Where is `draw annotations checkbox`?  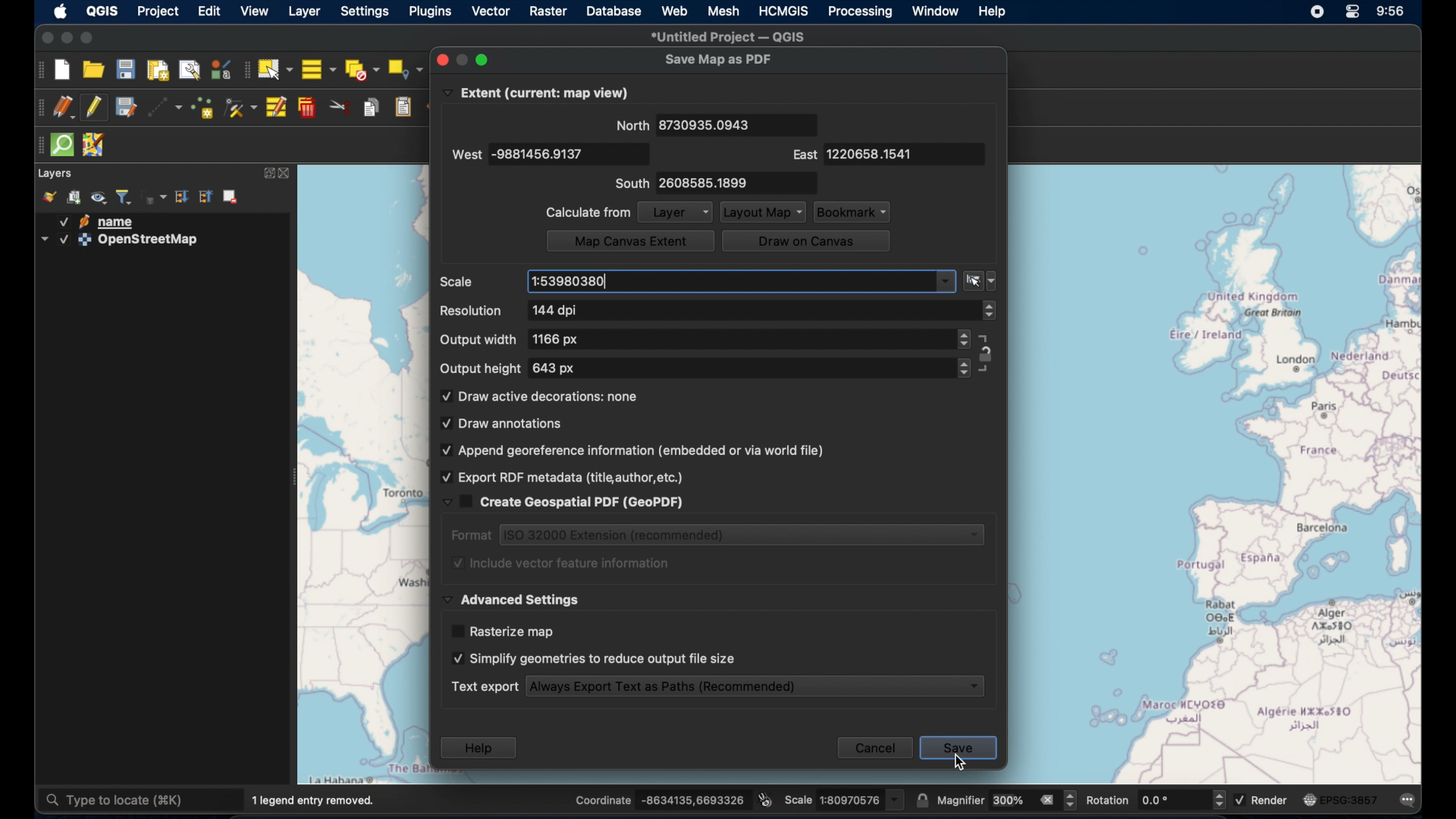 draw annotations checkbox is located at coordinates (498, 422).